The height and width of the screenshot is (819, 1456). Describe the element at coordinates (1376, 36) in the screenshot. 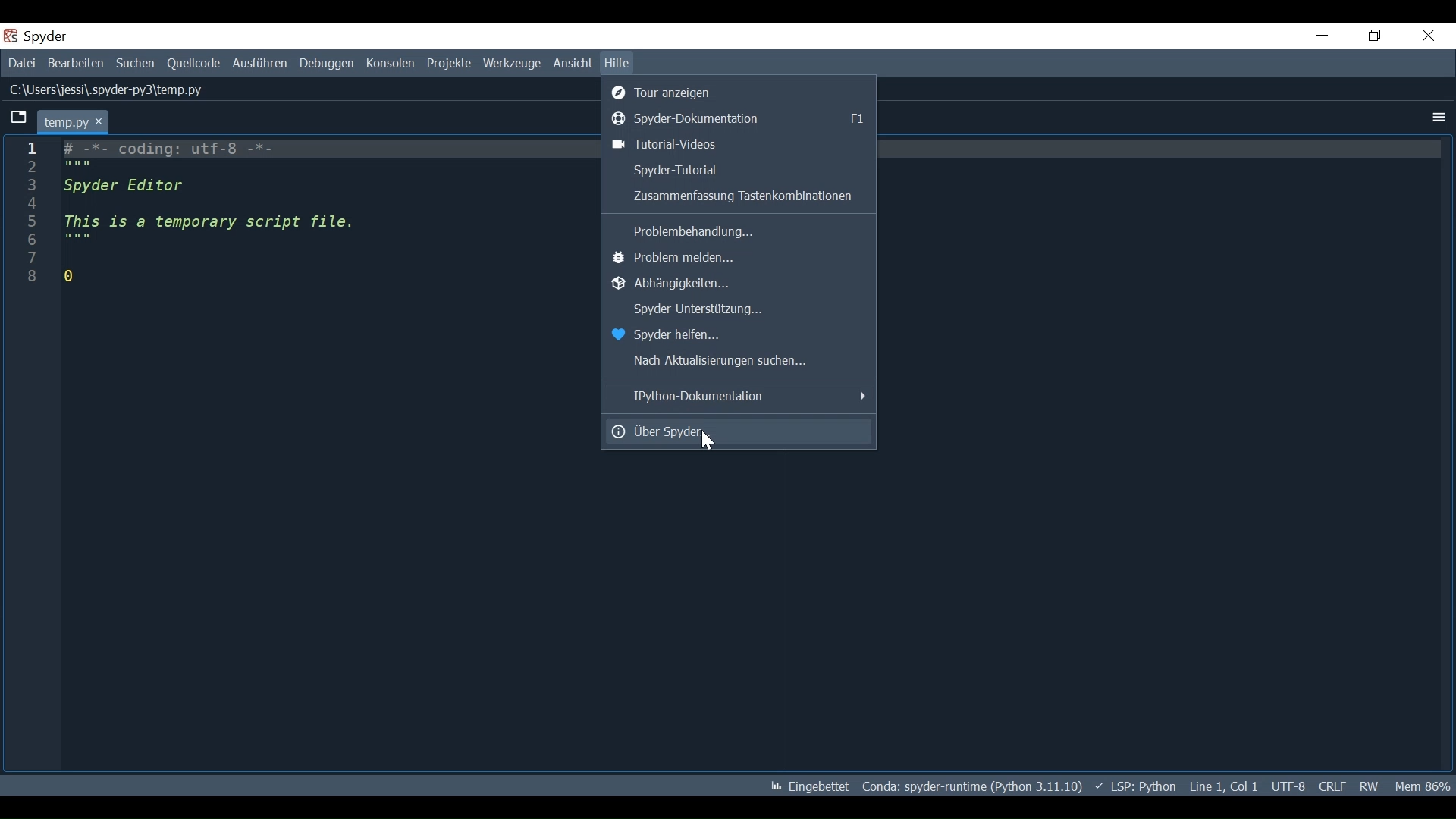

I see `Restore` at that location.